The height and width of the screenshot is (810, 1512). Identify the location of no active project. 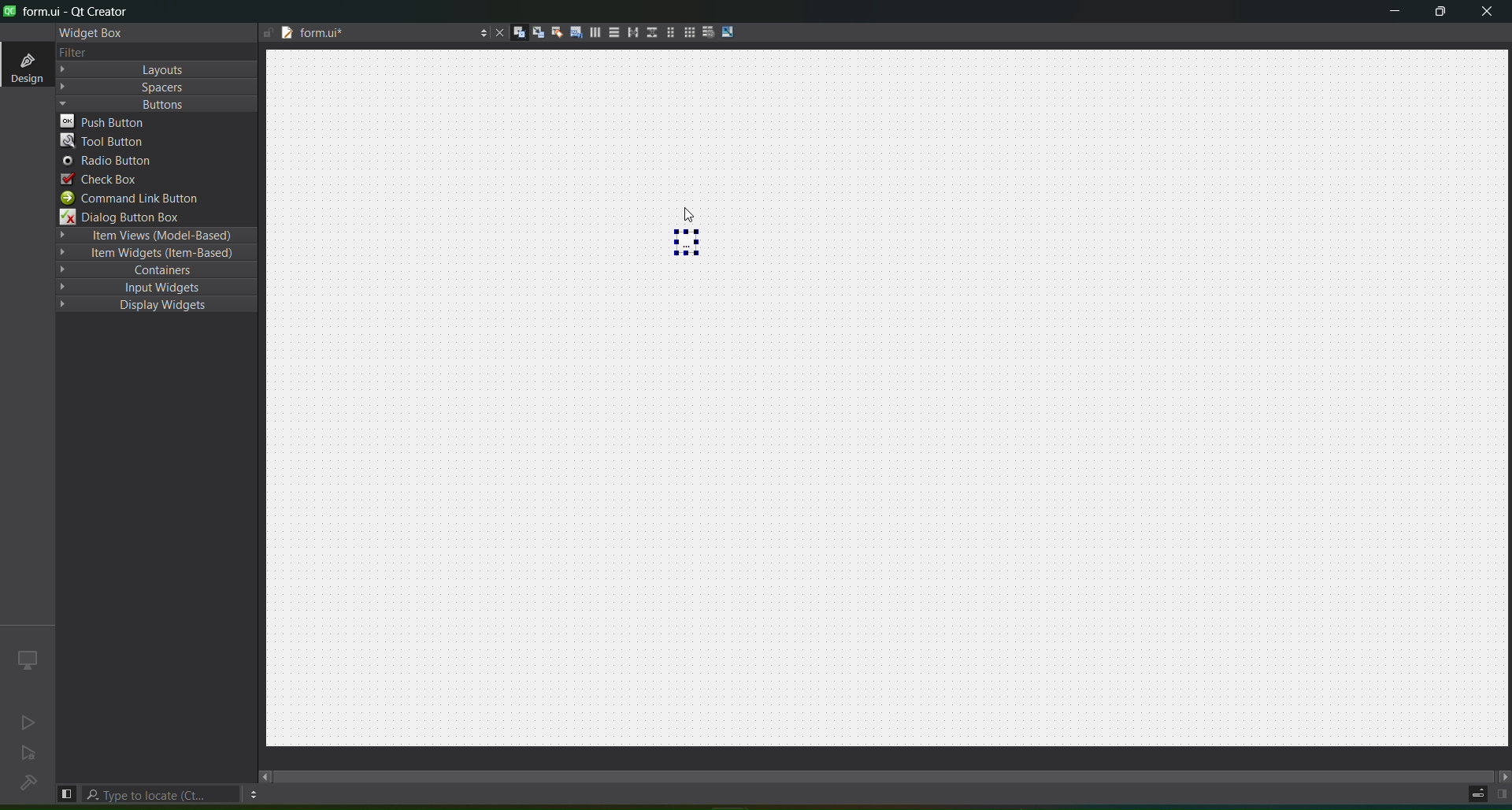
(31, 720).